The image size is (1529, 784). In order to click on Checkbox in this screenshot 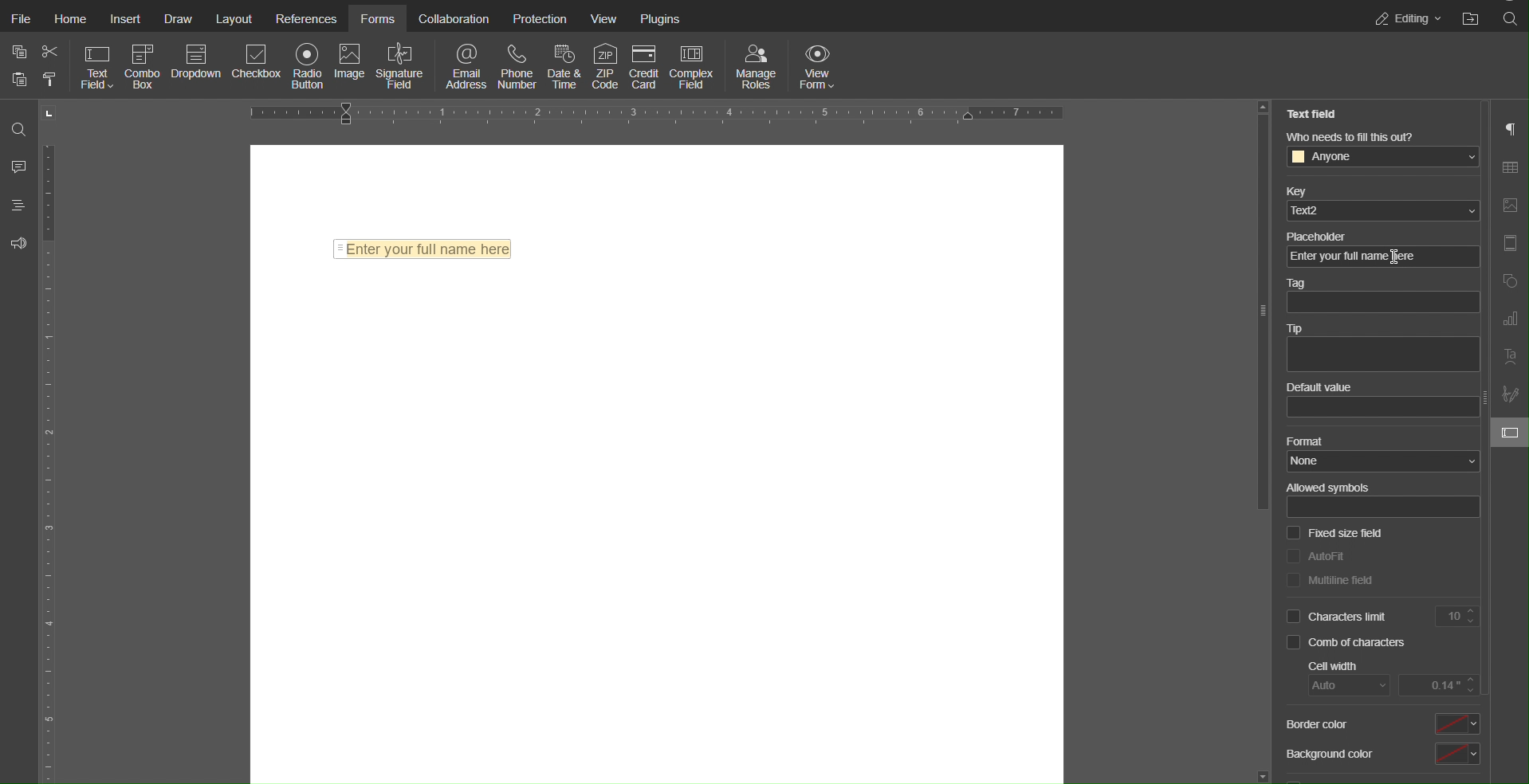, I will do `click(257, 68)`.